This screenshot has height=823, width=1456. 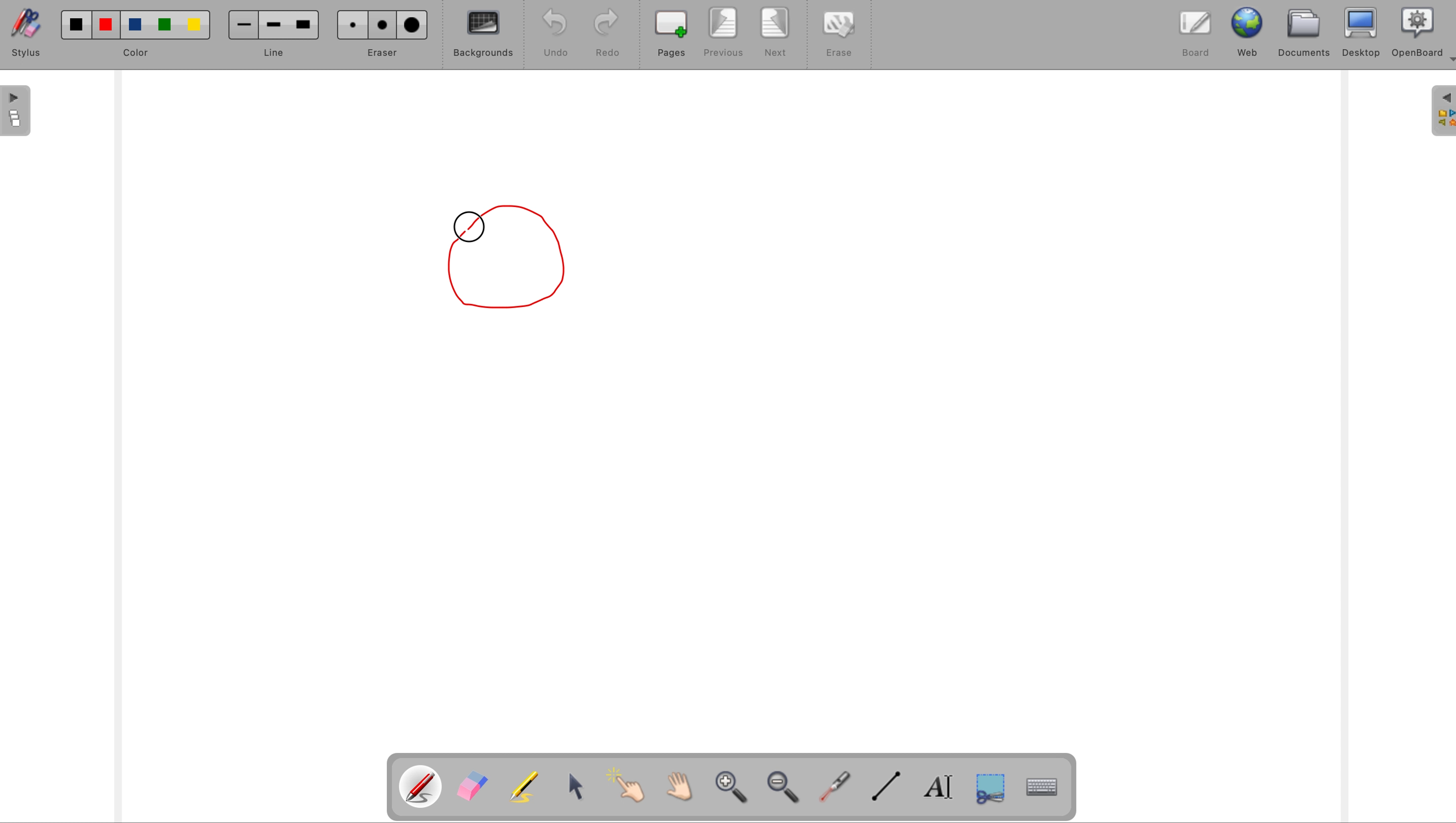 What do you see at coordinates (1307, 33) in the screenshot?
I see `documents` at bounding box center [1307, 33].